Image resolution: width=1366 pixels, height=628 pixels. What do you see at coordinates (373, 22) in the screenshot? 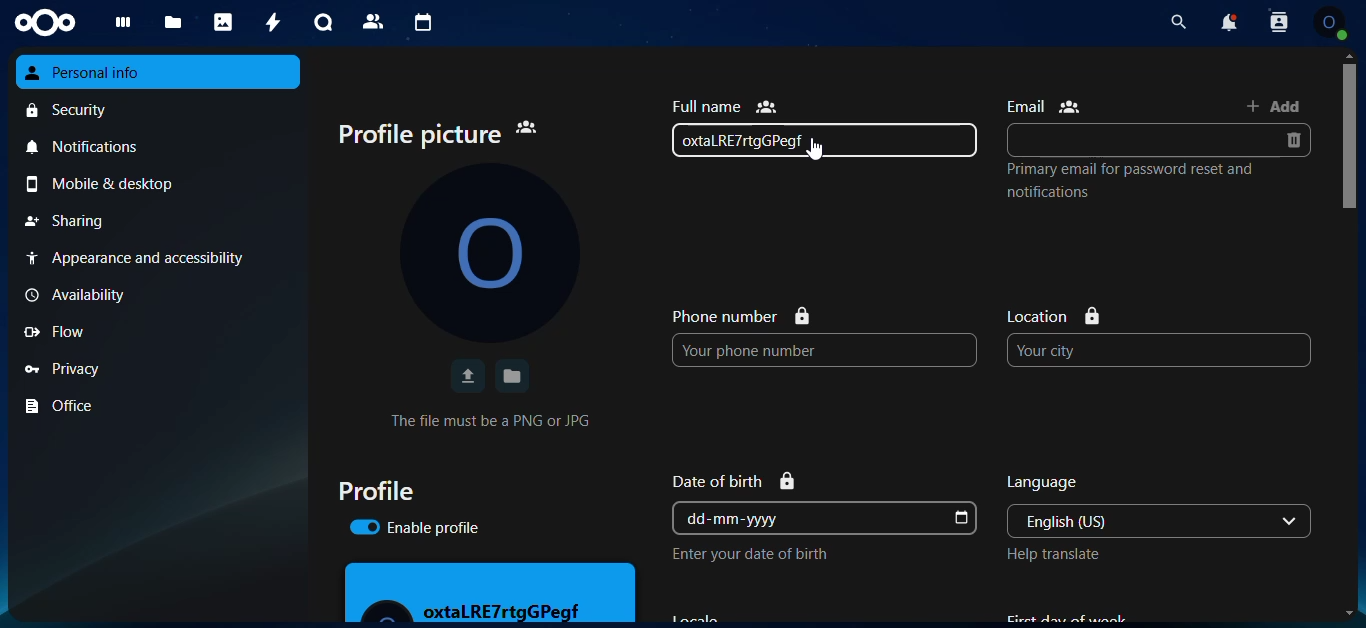
I see `contact` at bounding box center [373, 22].